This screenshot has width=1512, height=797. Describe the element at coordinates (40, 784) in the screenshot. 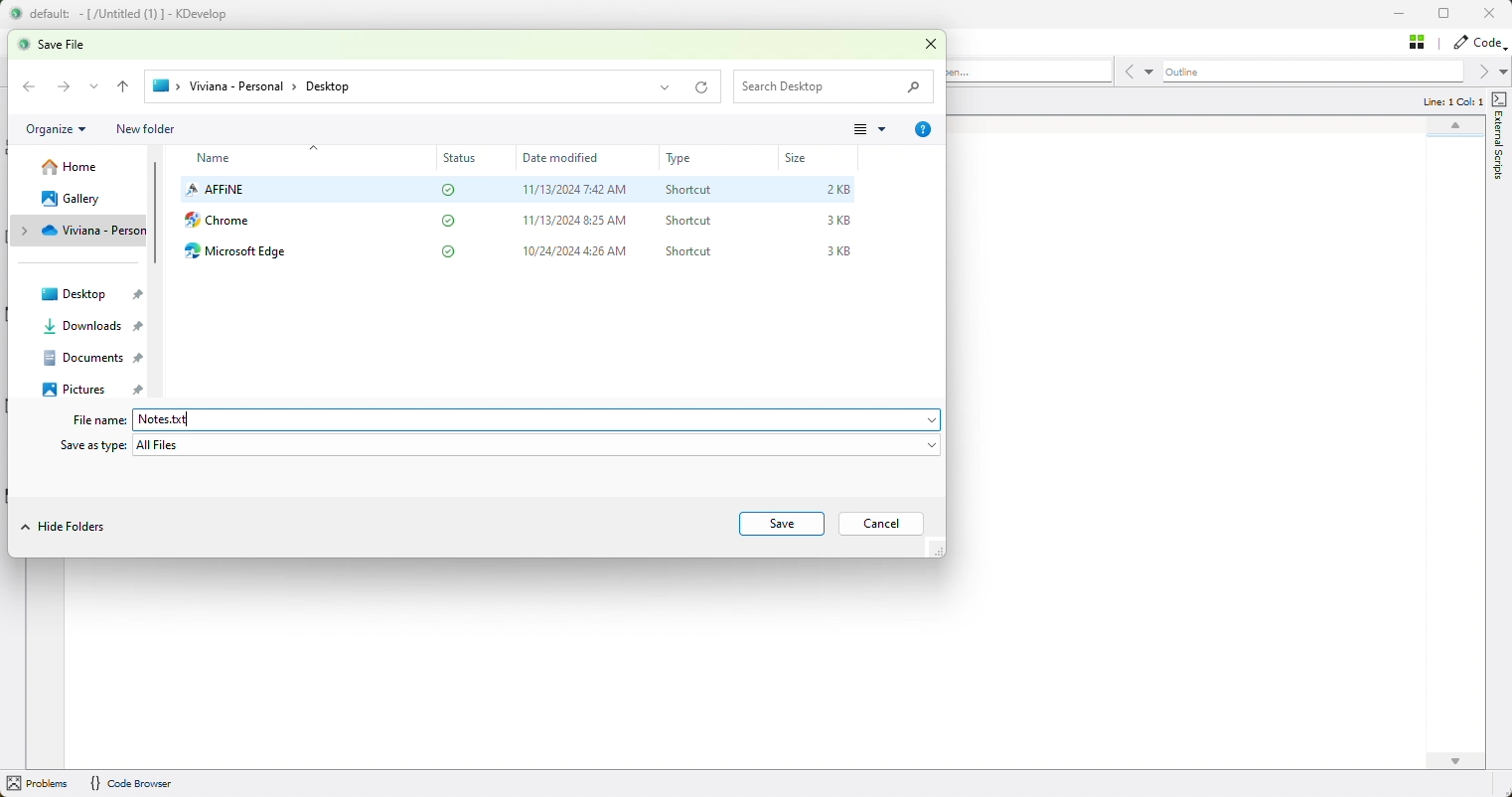

I see `problems` at that location.